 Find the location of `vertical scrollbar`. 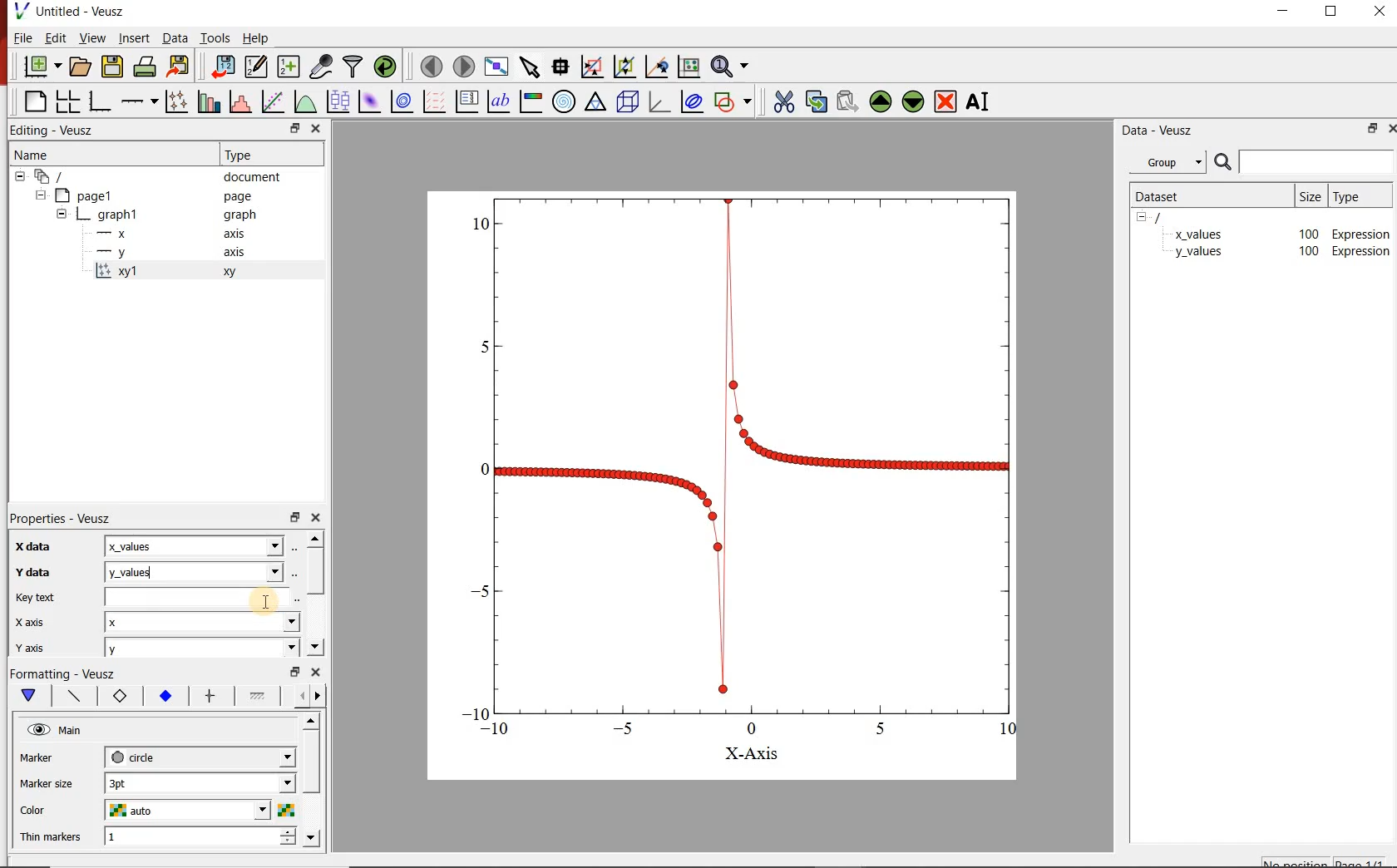

vertical scrollbar is located at coordinates (316, 571).